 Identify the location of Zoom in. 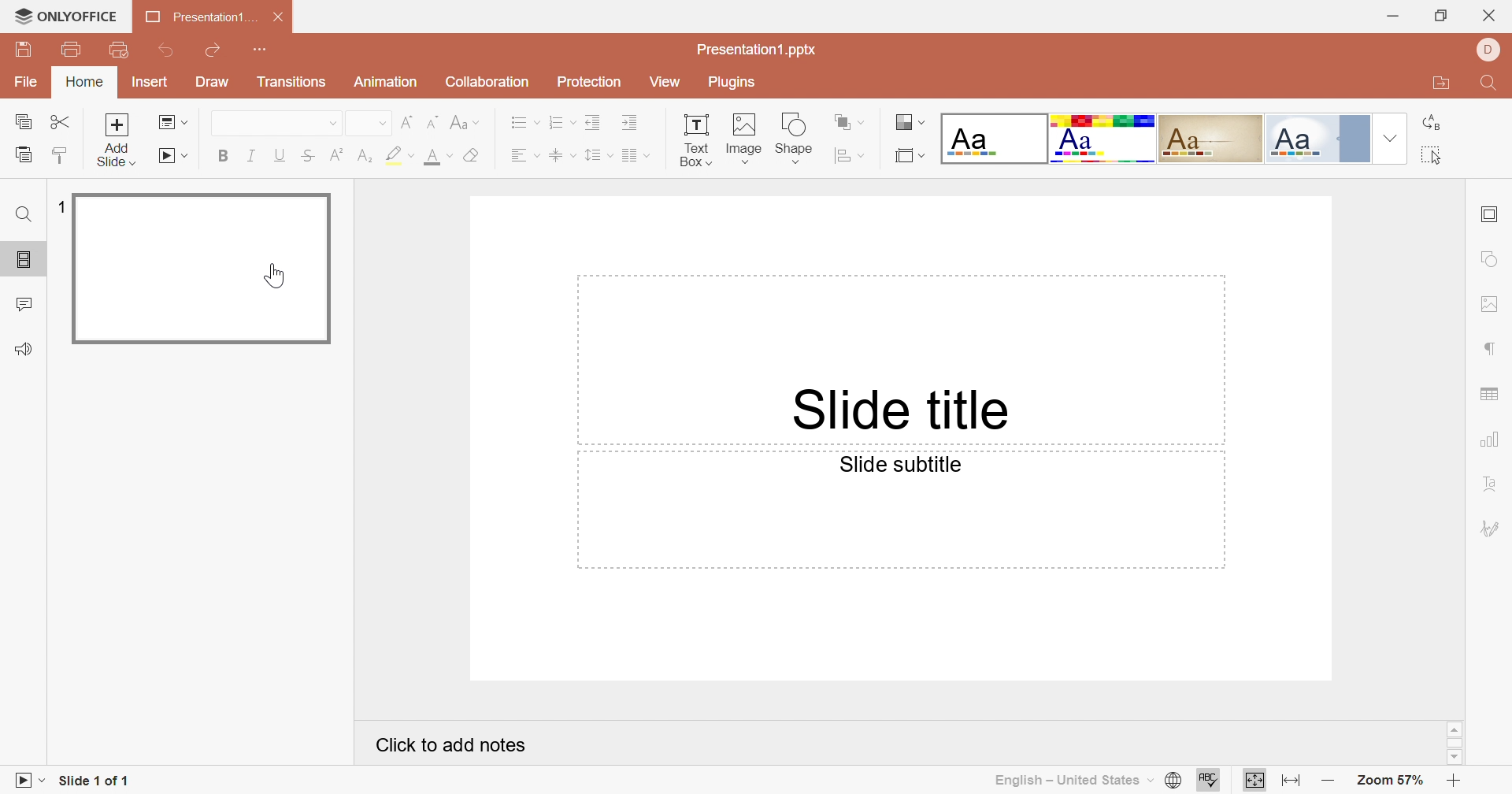
(1454, 777).